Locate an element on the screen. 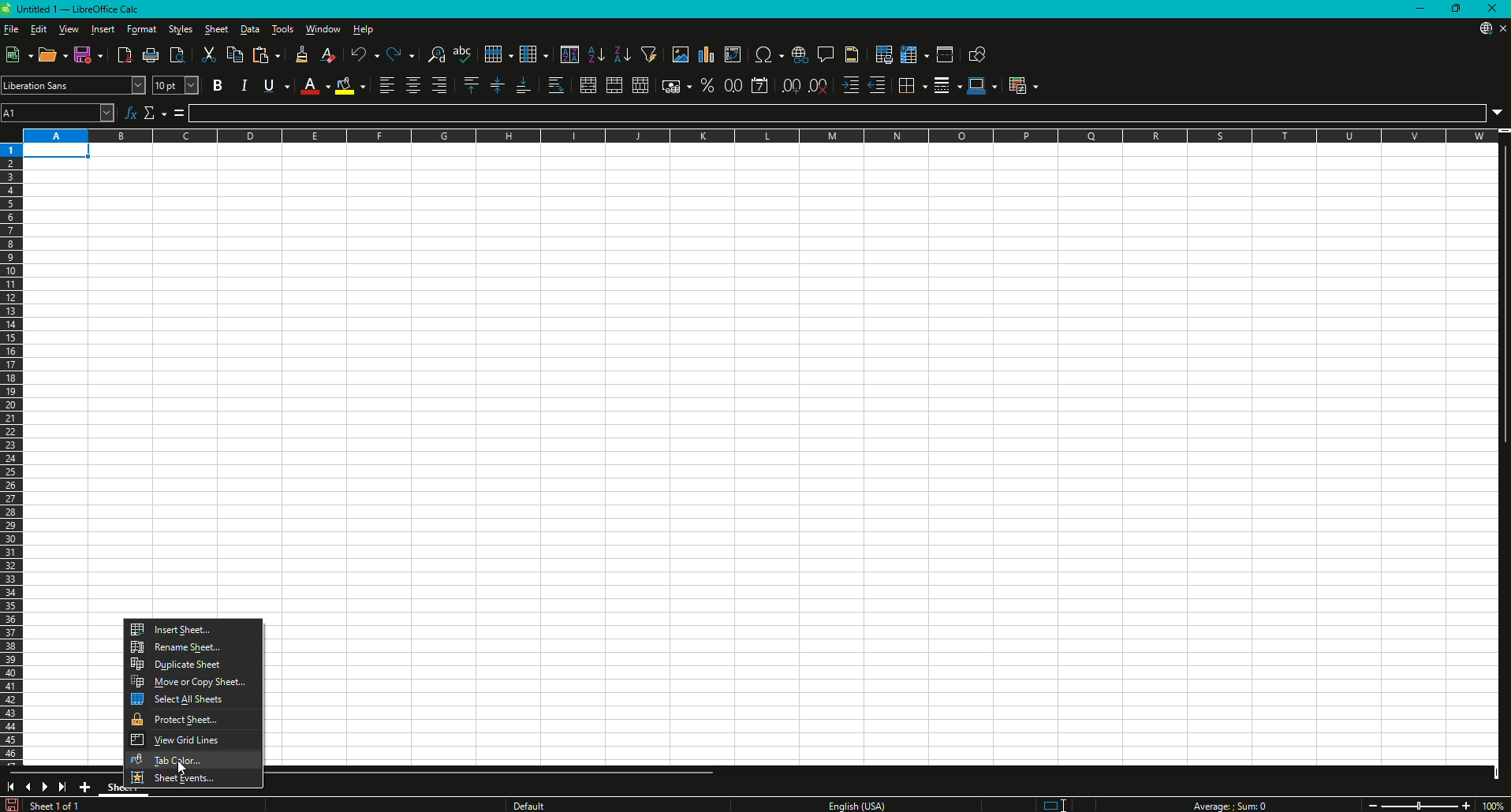  Insert Comments is located at coordinates (826, 54).